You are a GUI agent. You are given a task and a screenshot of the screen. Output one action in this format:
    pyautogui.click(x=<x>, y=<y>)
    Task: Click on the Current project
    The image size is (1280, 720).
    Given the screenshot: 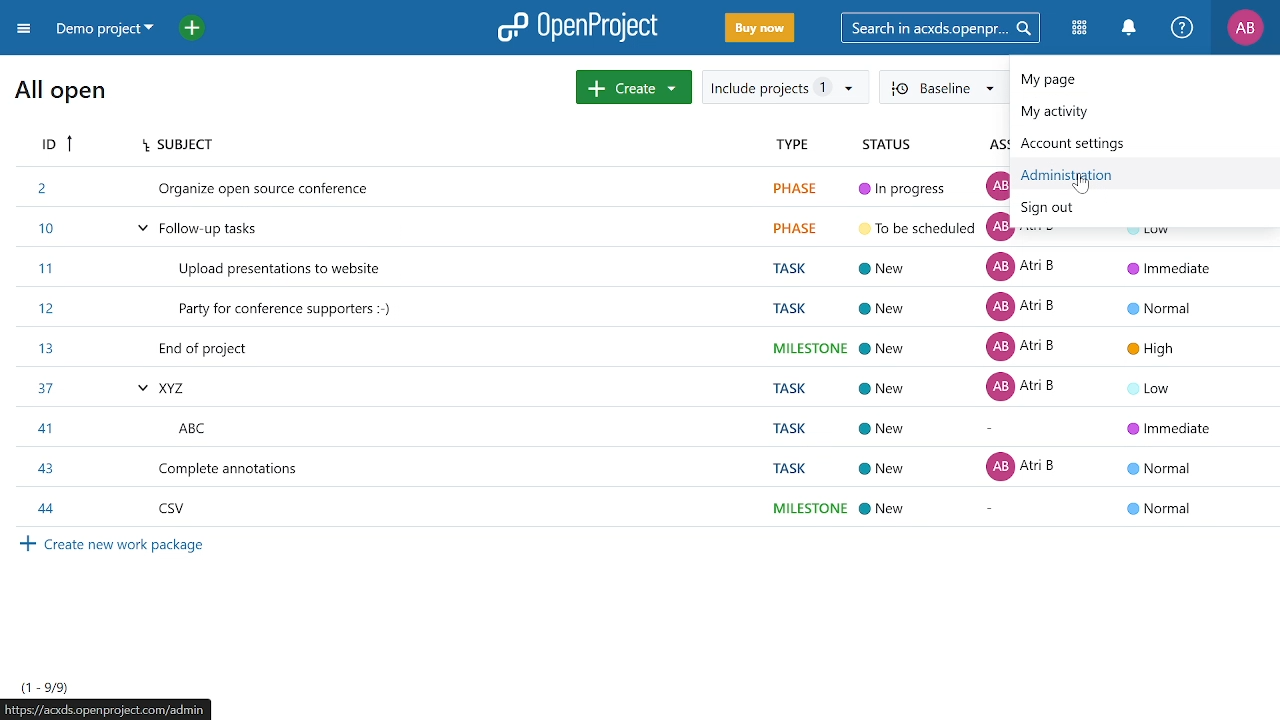 What is the action you would take?
    pyautogui.click(x=107, y=31)
    